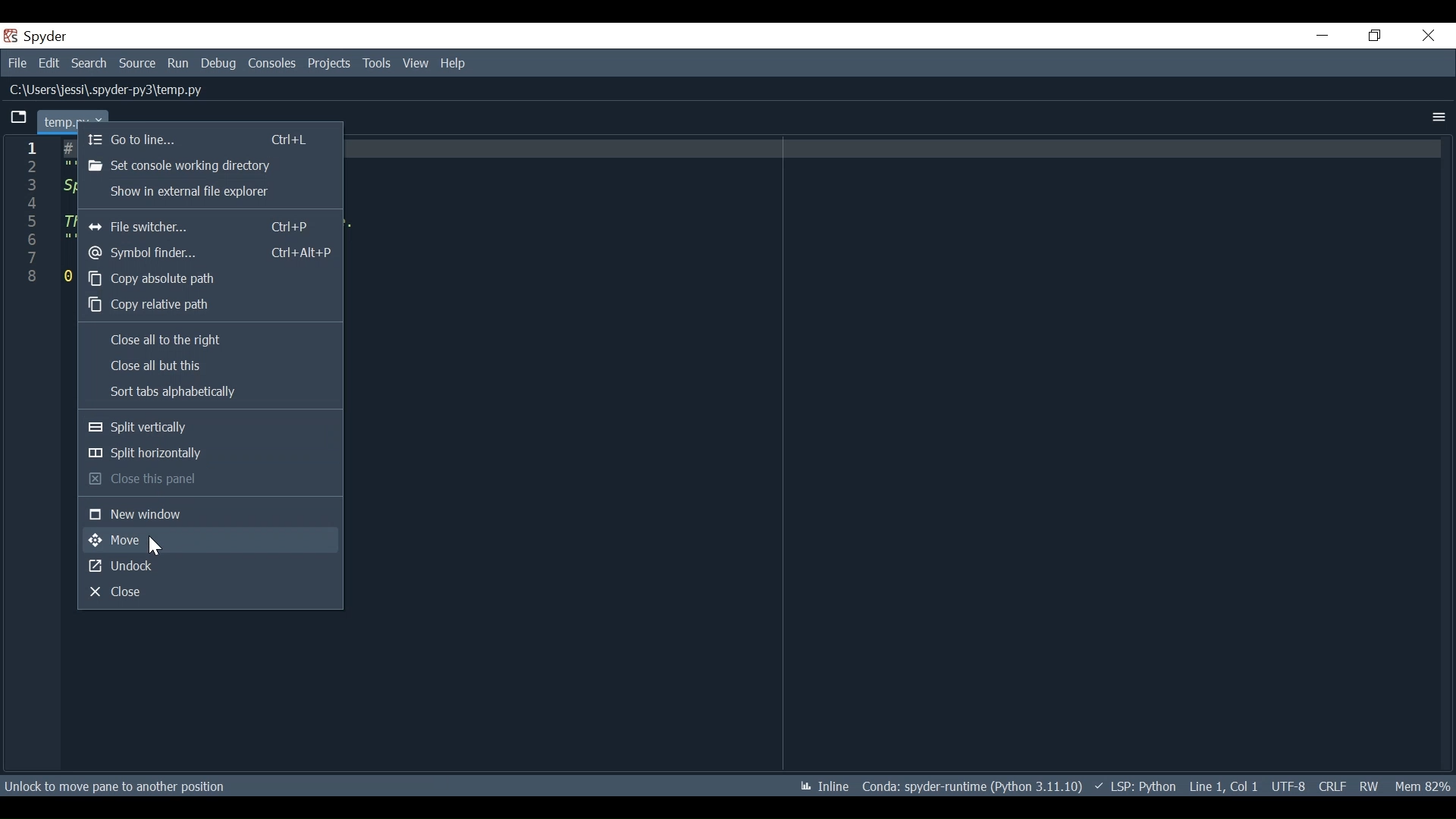 This screenshot has width=1456, height=819. What do you see at coordinates (211, 453) in the screenshot?
I see `Split horizontally` at bounding box center [211, 453].